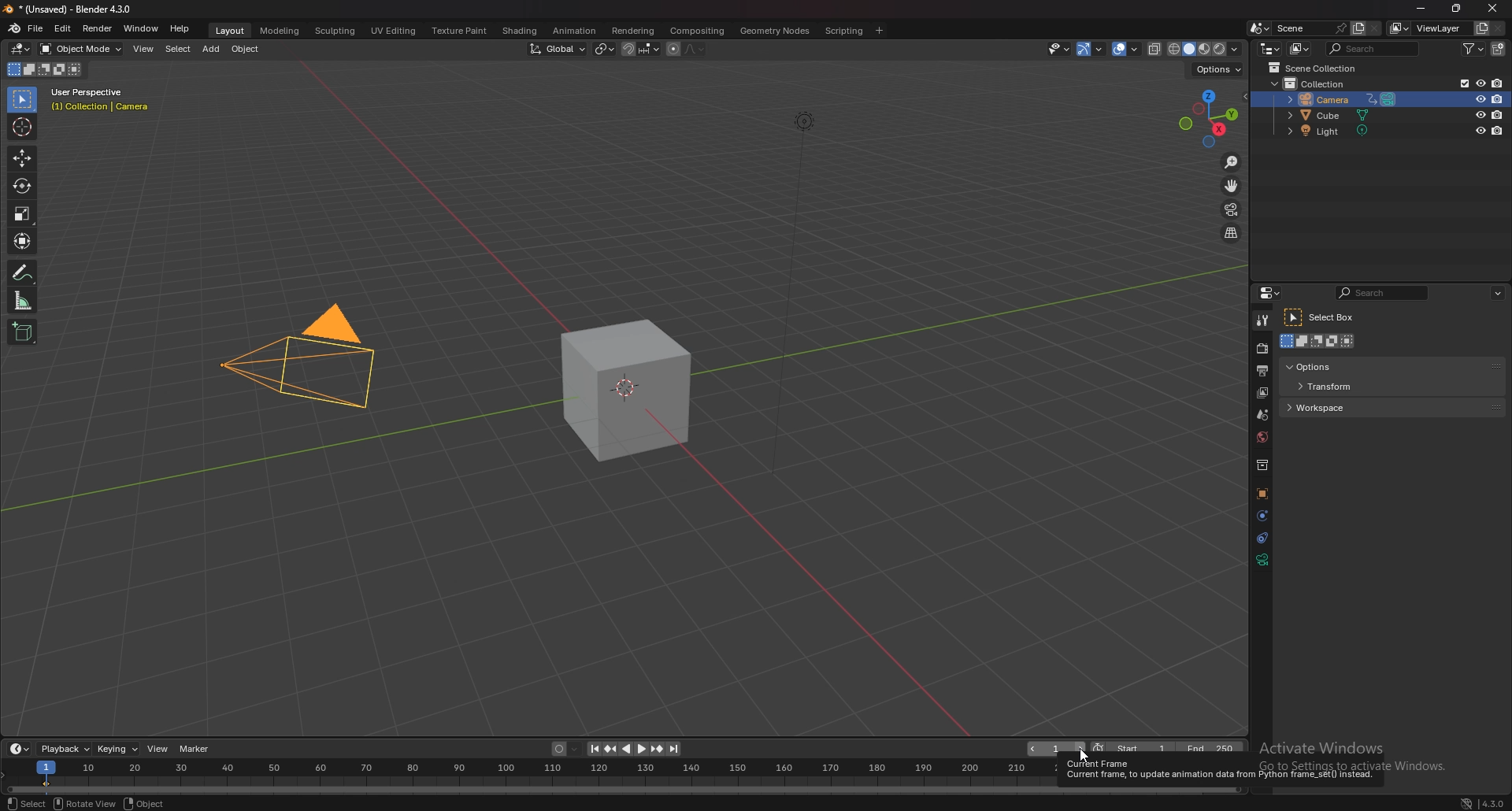  Describe the element at coordinates (1478, 100) in the screenshot. I see `hide in viewport` at that location.